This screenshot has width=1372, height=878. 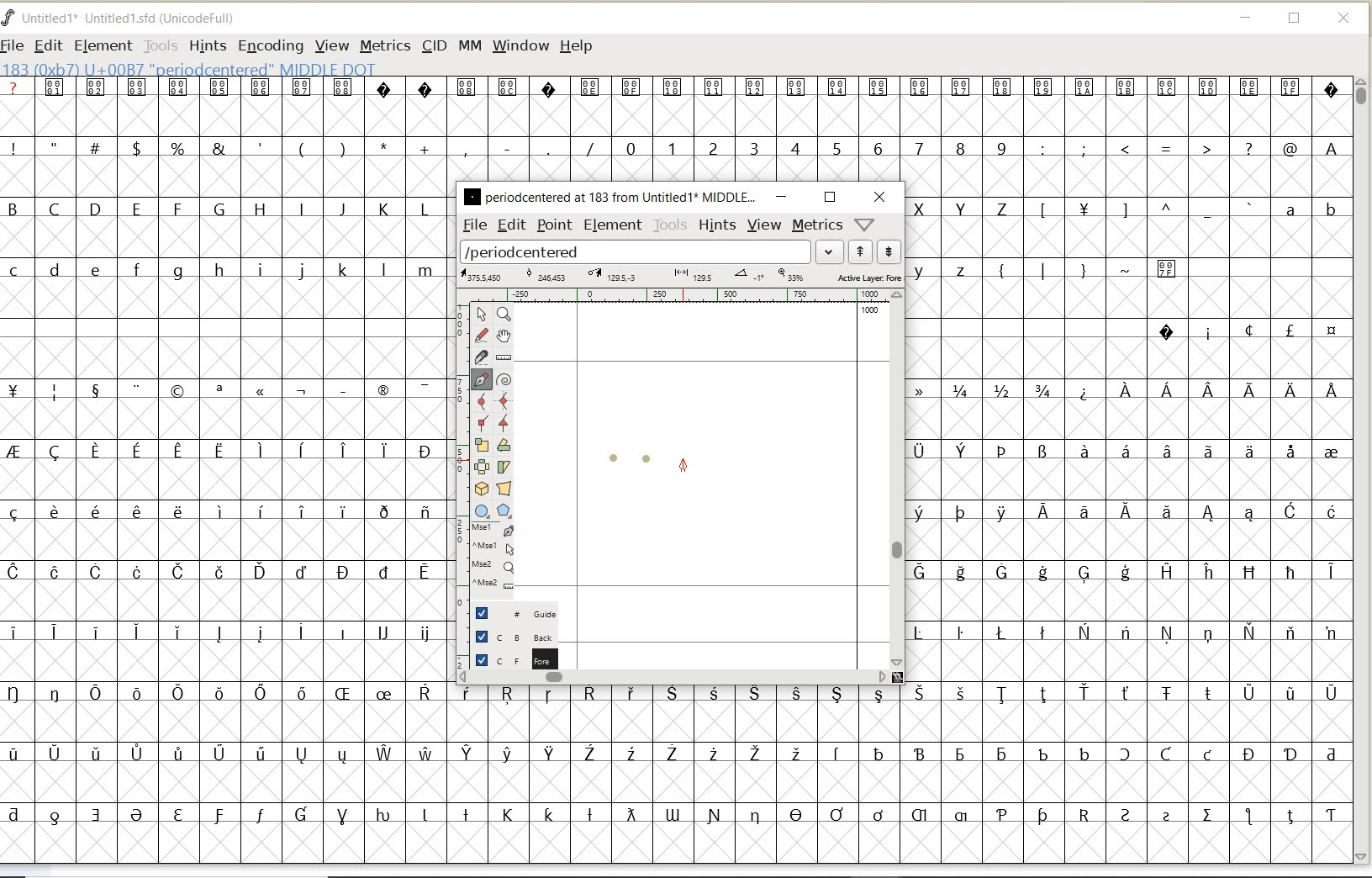 I want to click on numbers, so click(x=812, y=147).